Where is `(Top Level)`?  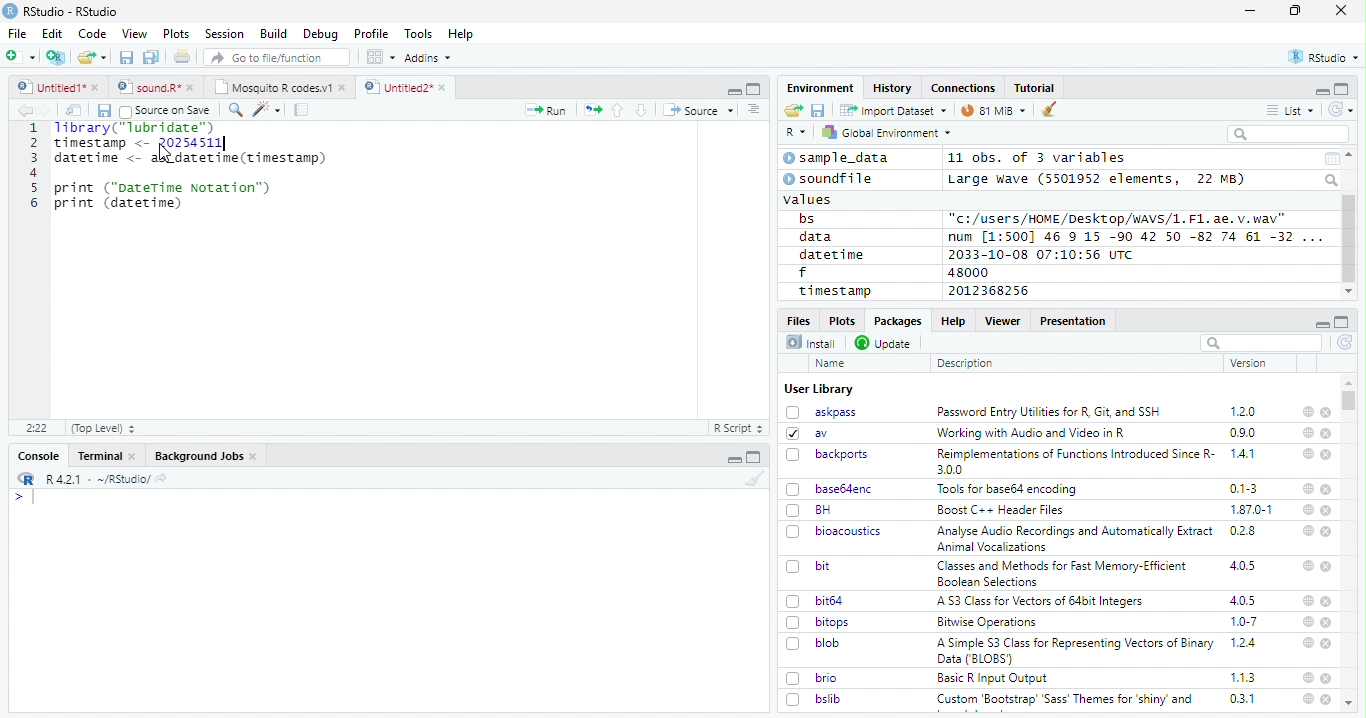 (Top Level) is located at coordinates (102, 428).